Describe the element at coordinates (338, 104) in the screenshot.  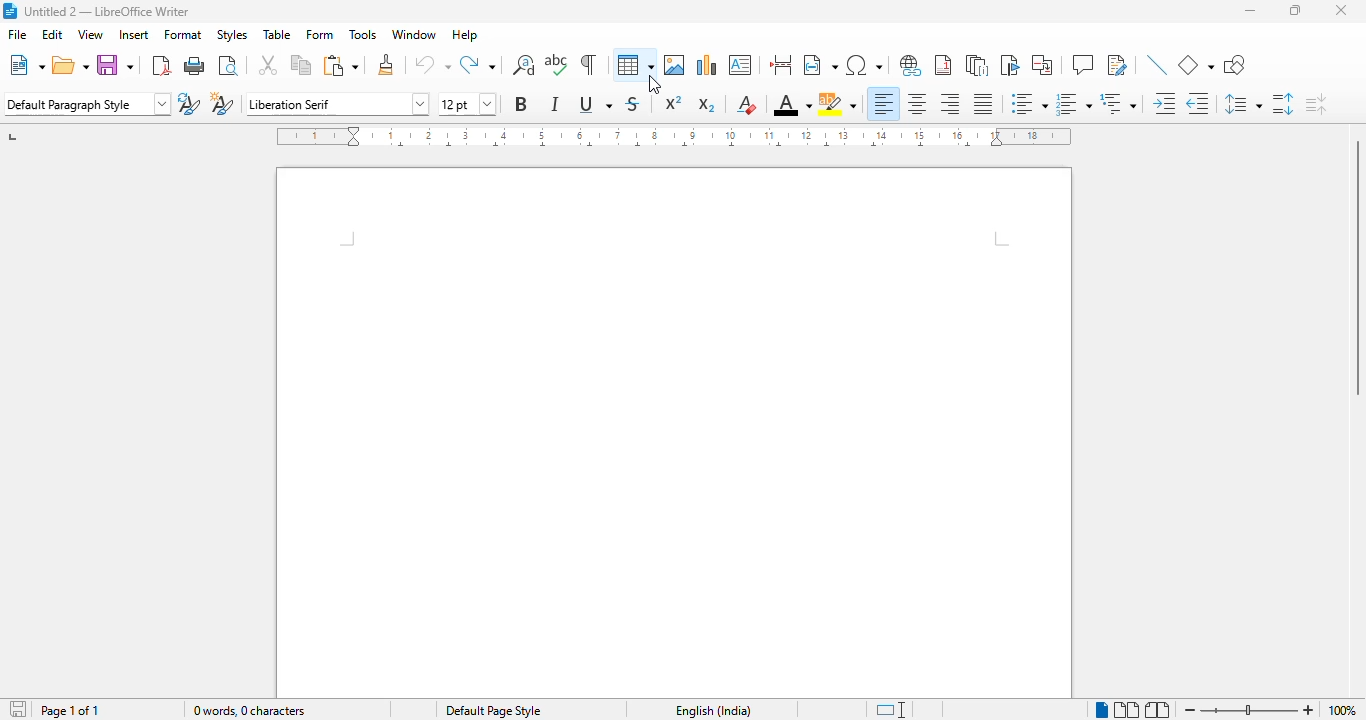
I see `font name` at that location.